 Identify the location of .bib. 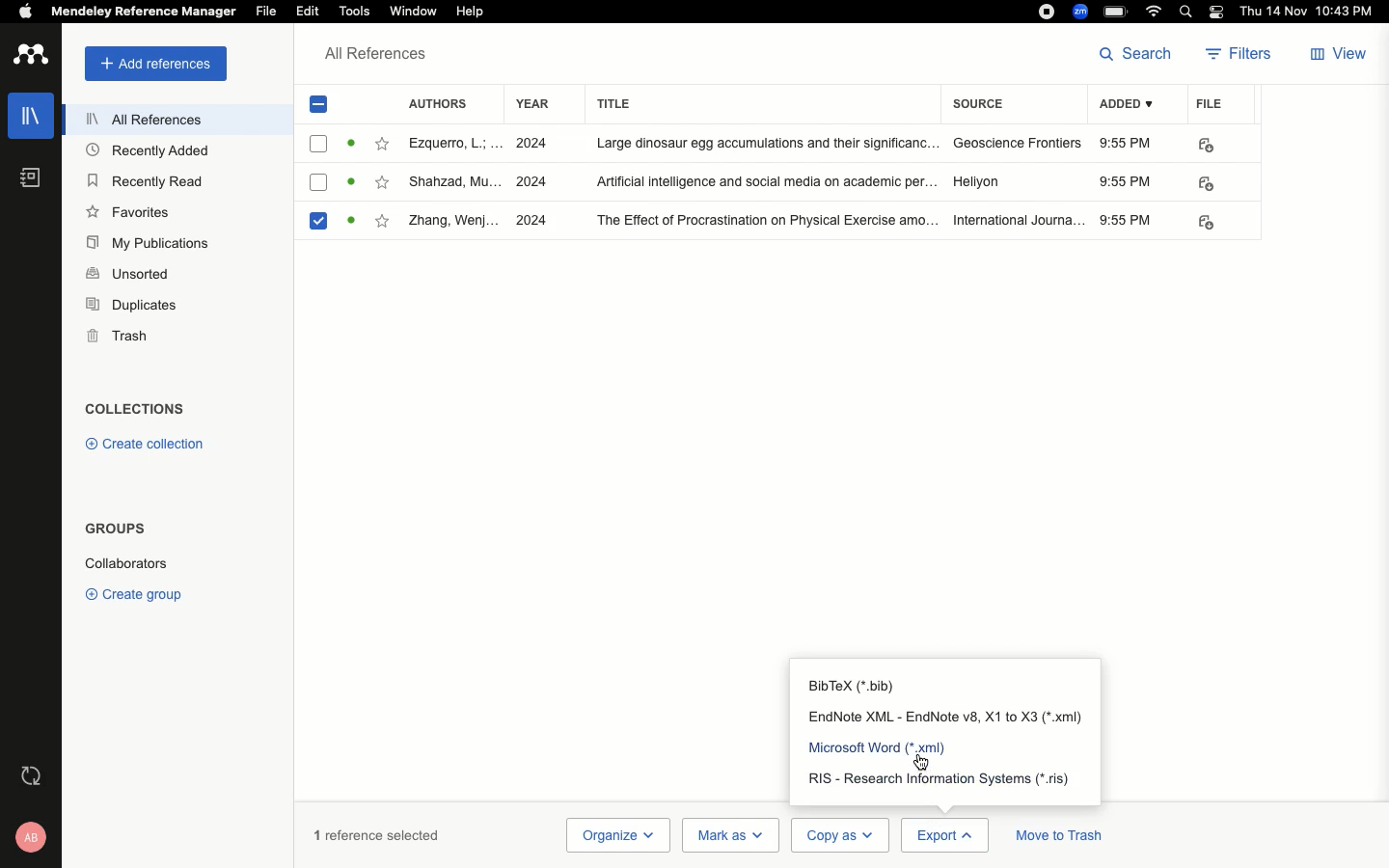
(856, 684).